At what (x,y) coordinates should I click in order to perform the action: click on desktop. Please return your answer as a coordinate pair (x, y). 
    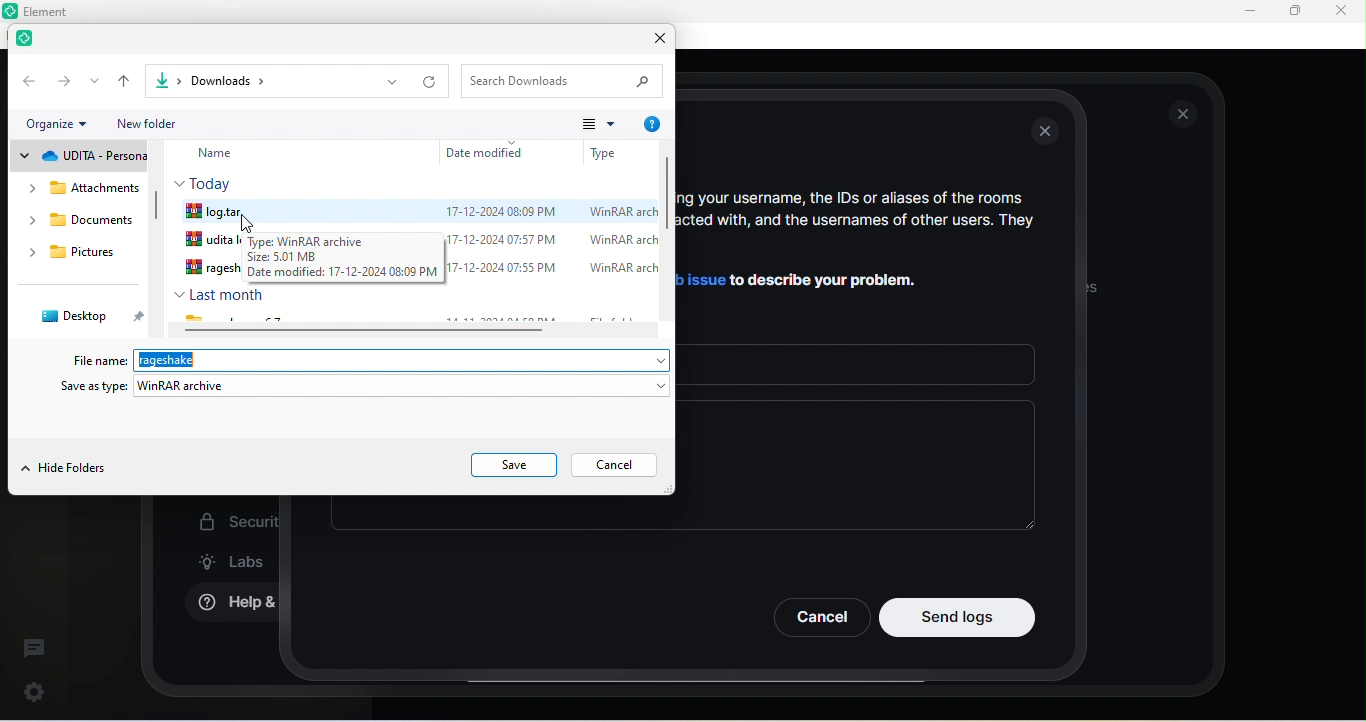
    Looking at the image, I should click on (86, 316).